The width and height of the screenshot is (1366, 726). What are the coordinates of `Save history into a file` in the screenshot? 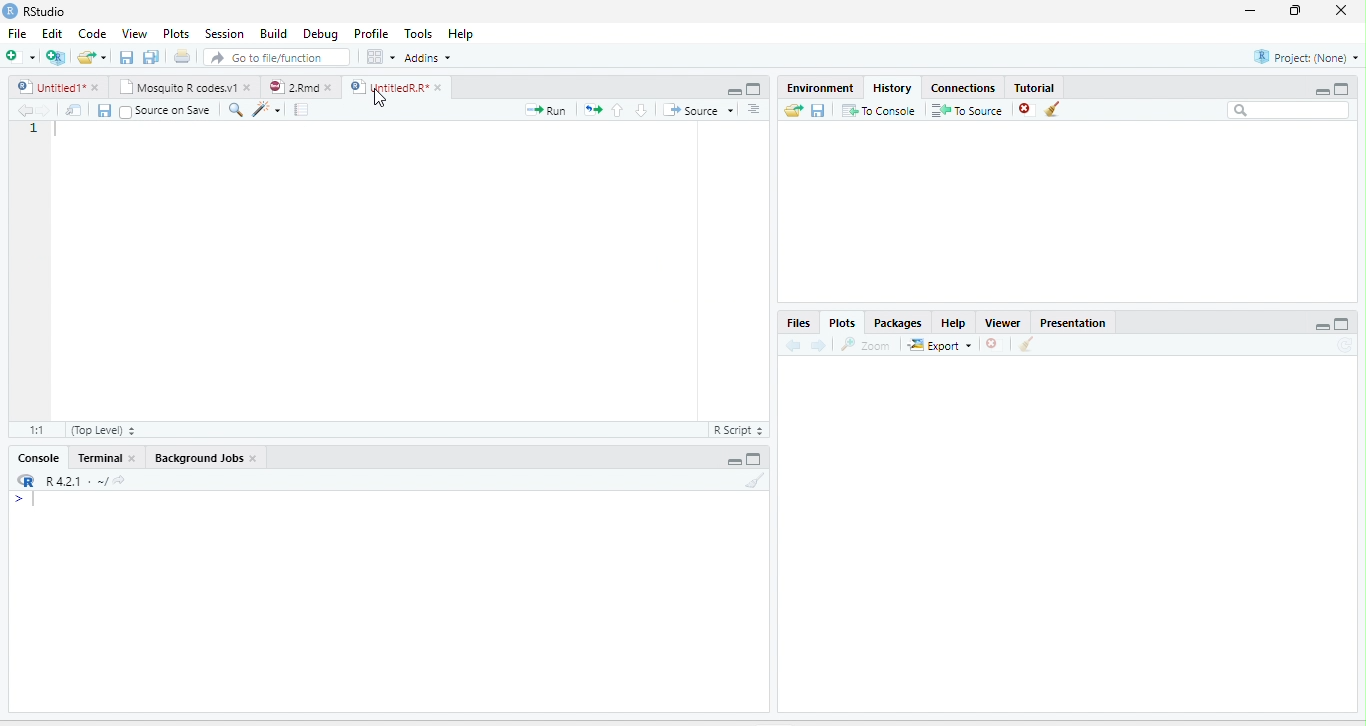 It's located at (818, 110).